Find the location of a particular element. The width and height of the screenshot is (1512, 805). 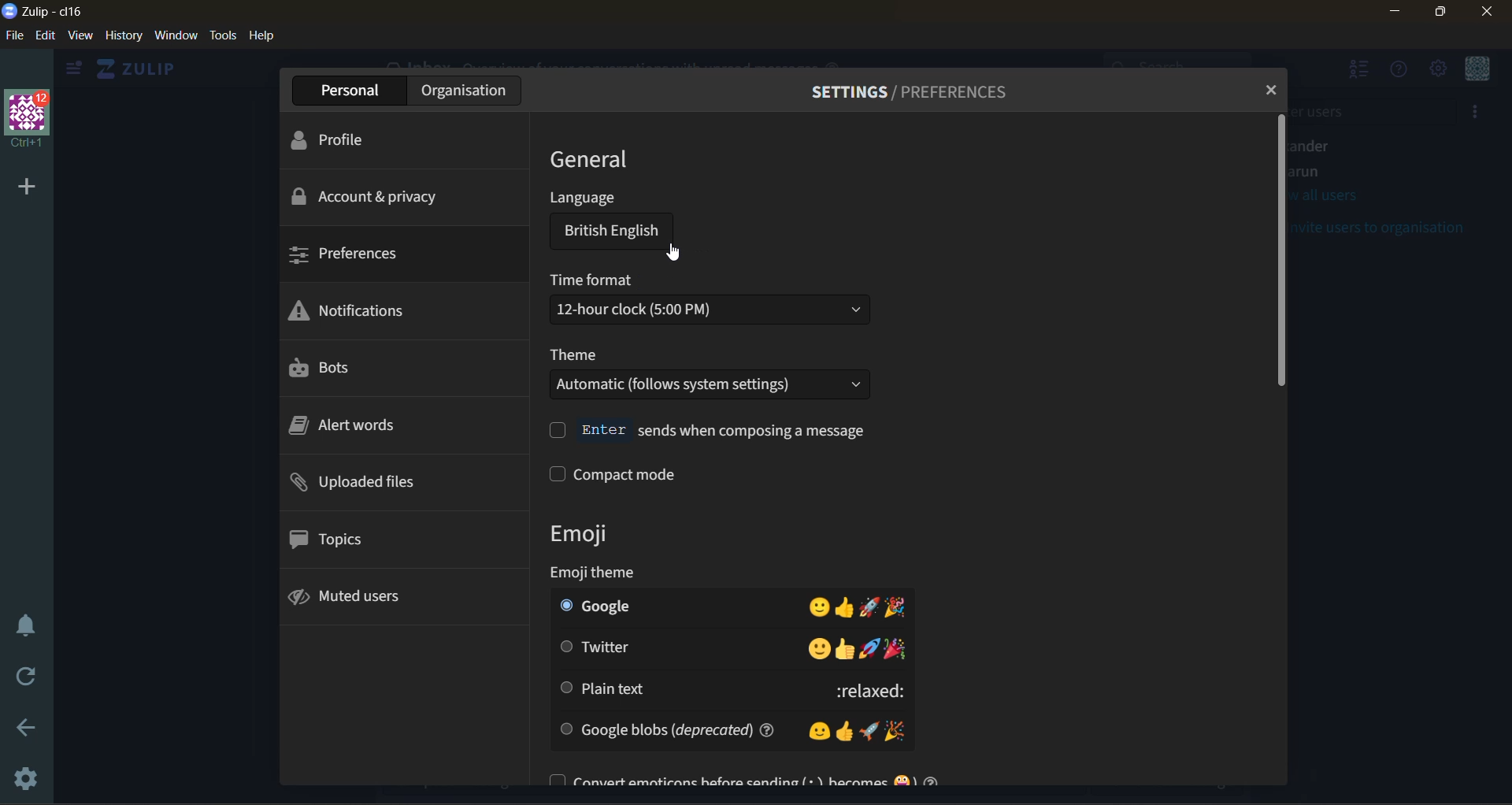

enable do not disturb is located at coordinates (25, 624).